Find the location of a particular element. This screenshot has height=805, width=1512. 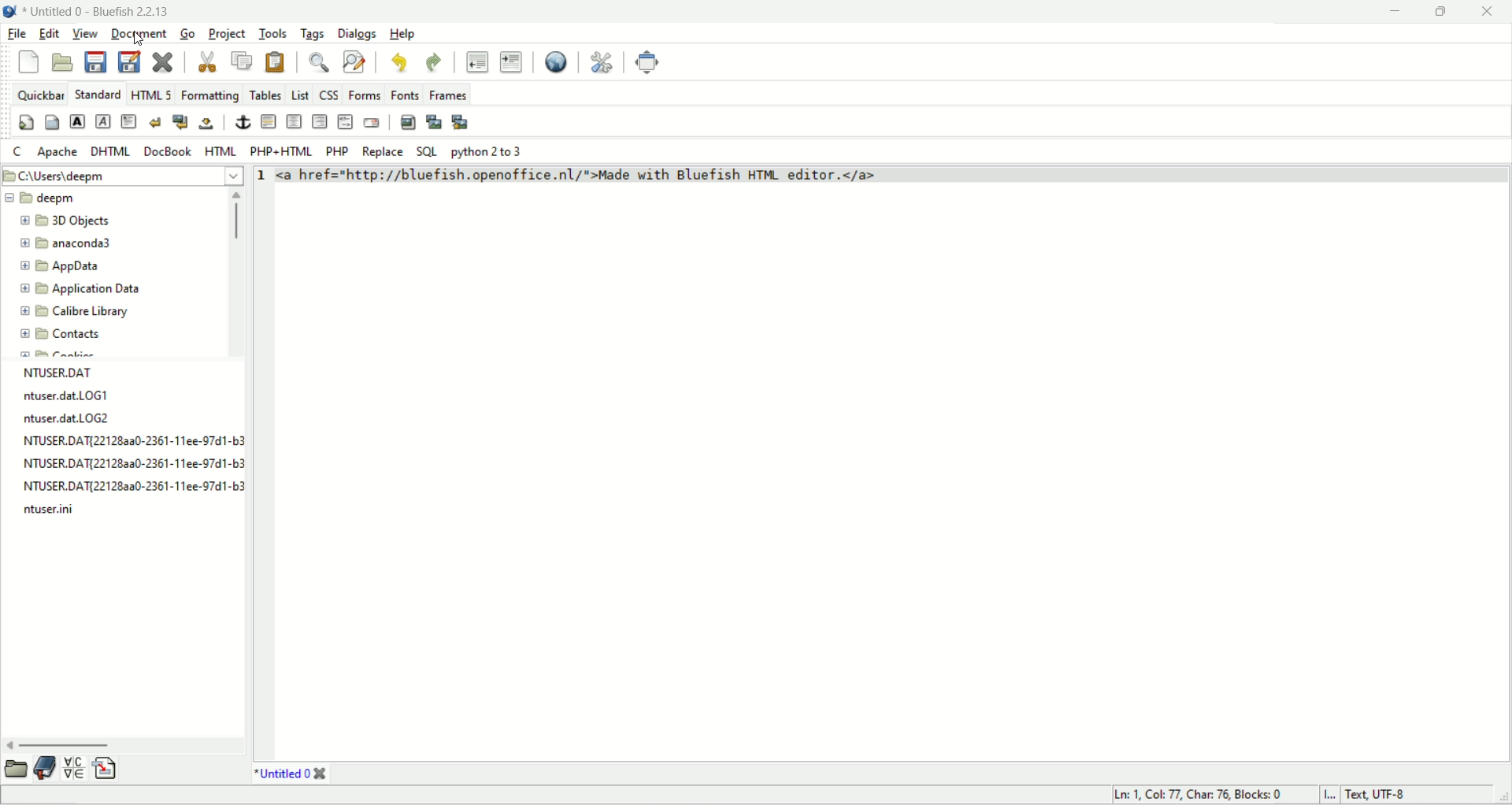

go is located at coordinates (185, 35).